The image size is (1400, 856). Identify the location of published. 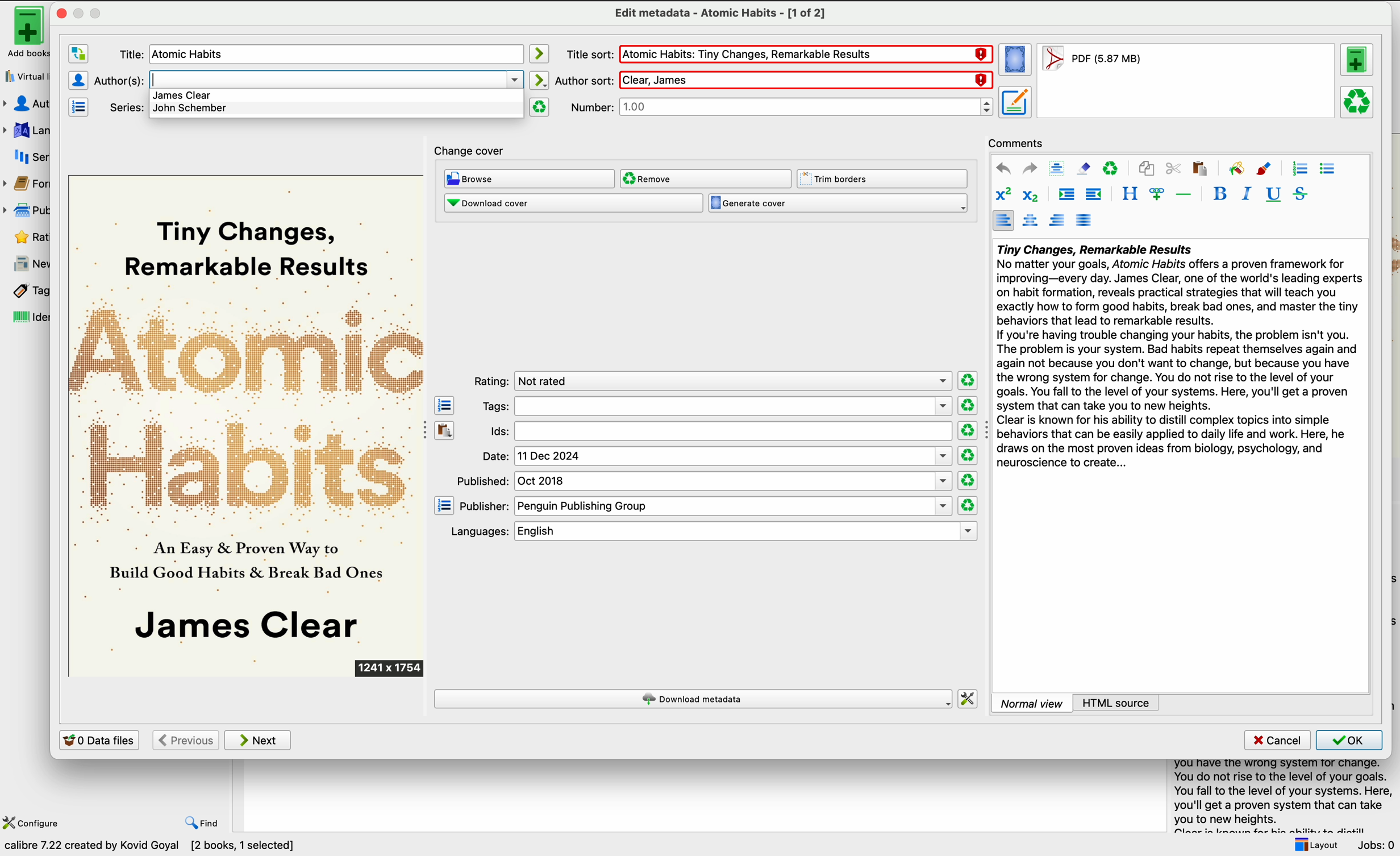
(705, 481).